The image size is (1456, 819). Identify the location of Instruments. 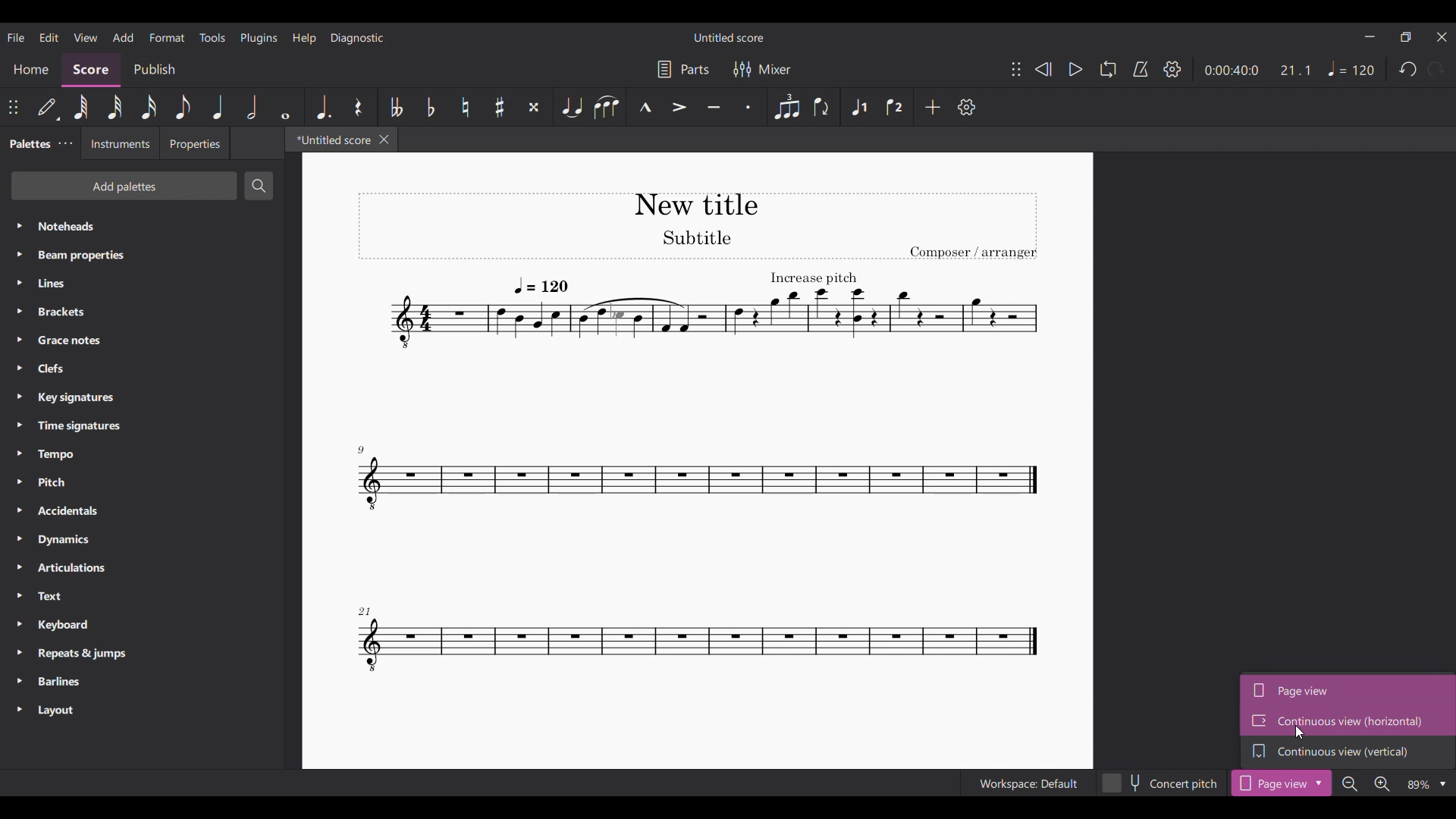
(118, 143).